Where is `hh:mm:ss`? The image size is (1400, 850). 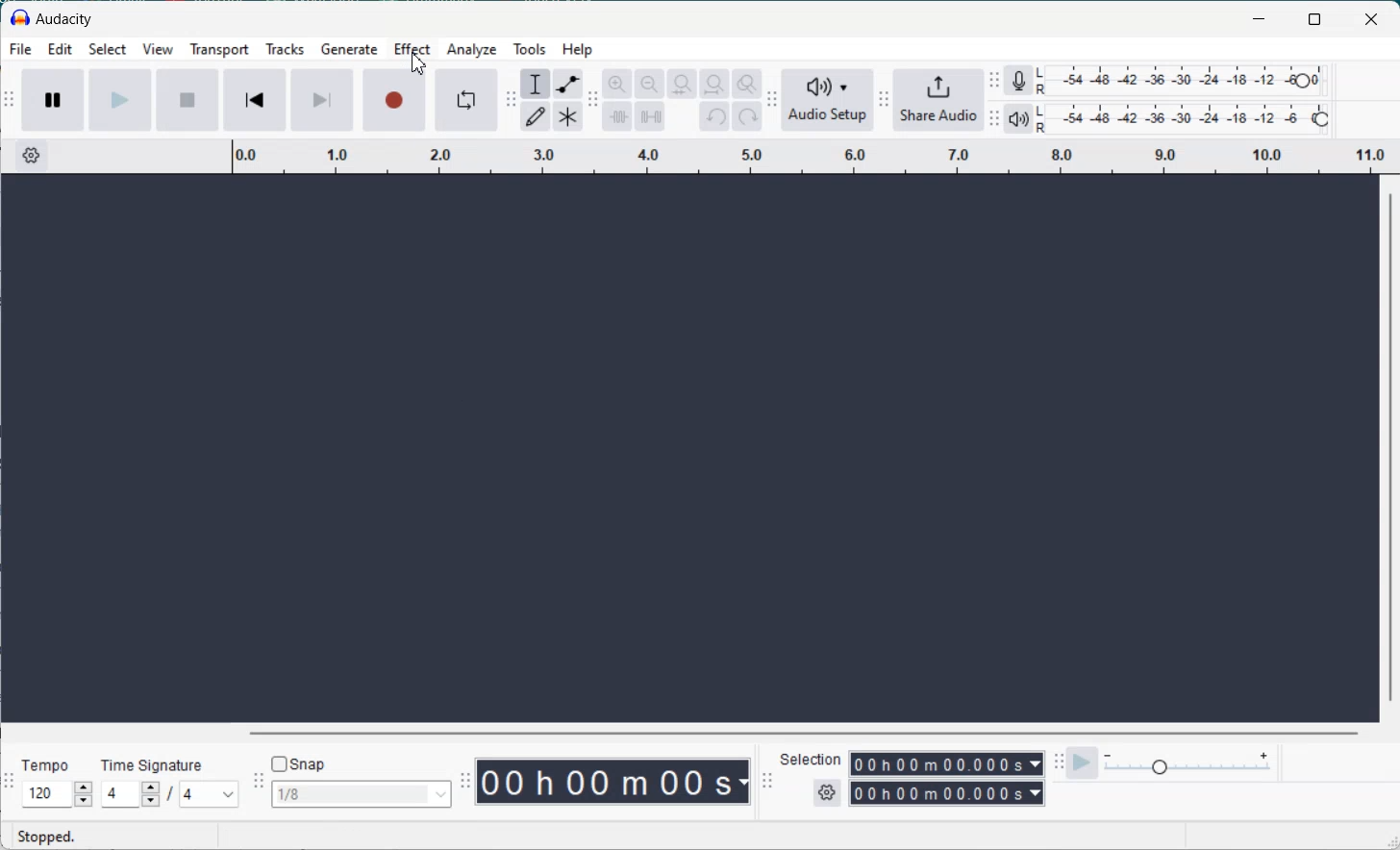
hh:mm:ss is located at coordinates (615, 781).